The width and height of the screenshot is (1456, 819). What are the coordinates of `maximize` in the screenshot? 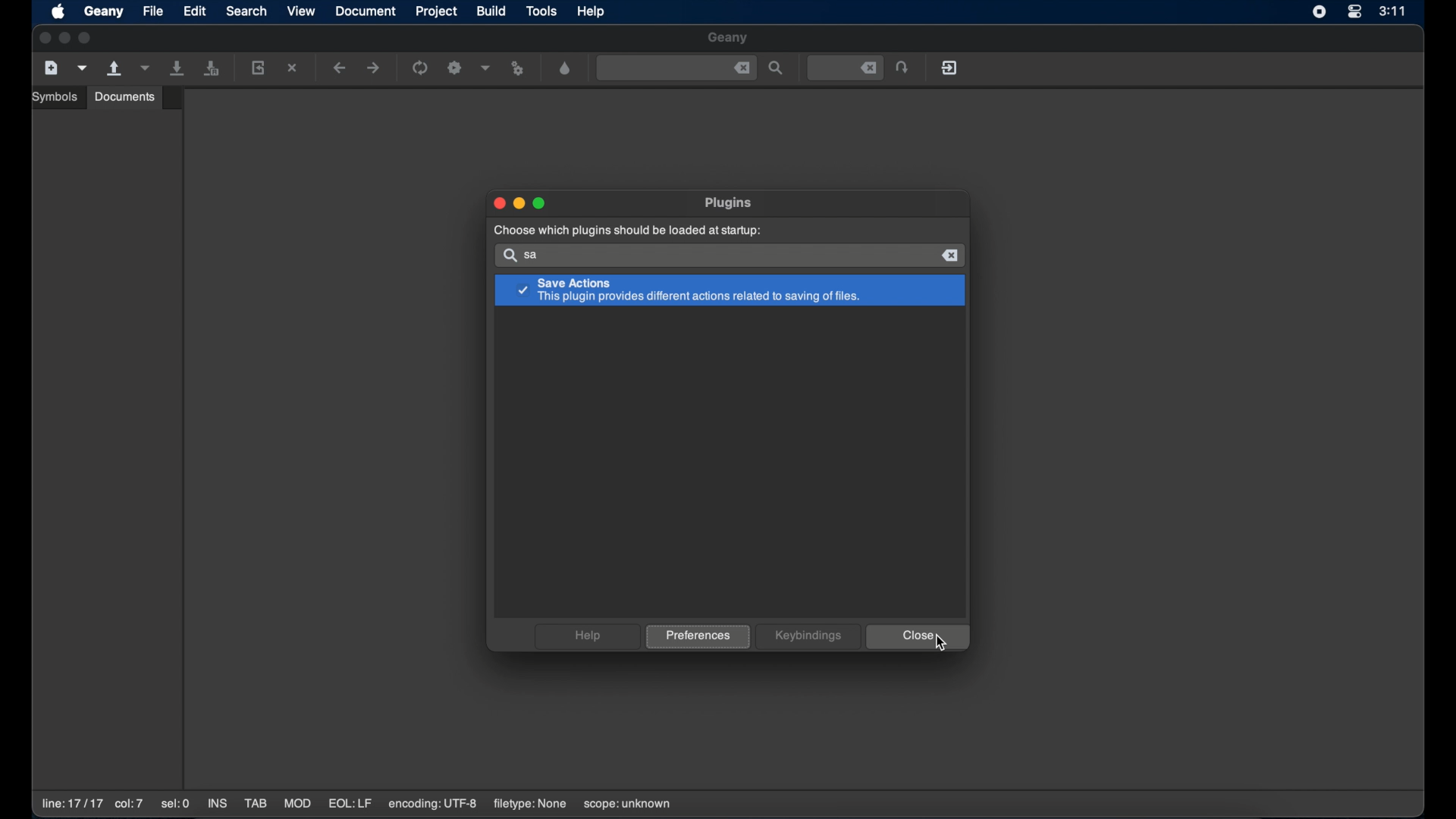 It's located at (87, 38).